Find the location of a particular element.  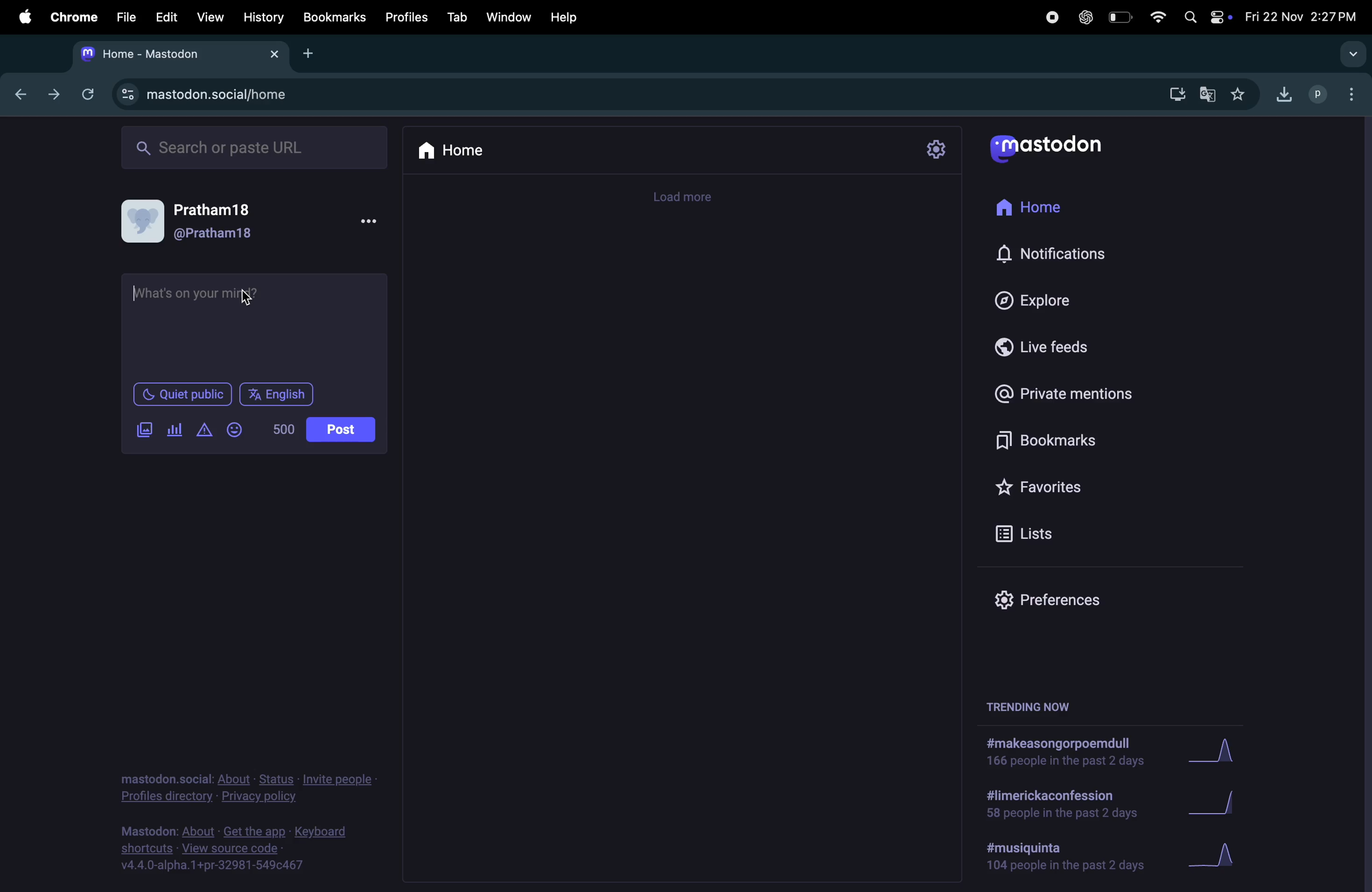

refresh is located at coordinates (85, 93).